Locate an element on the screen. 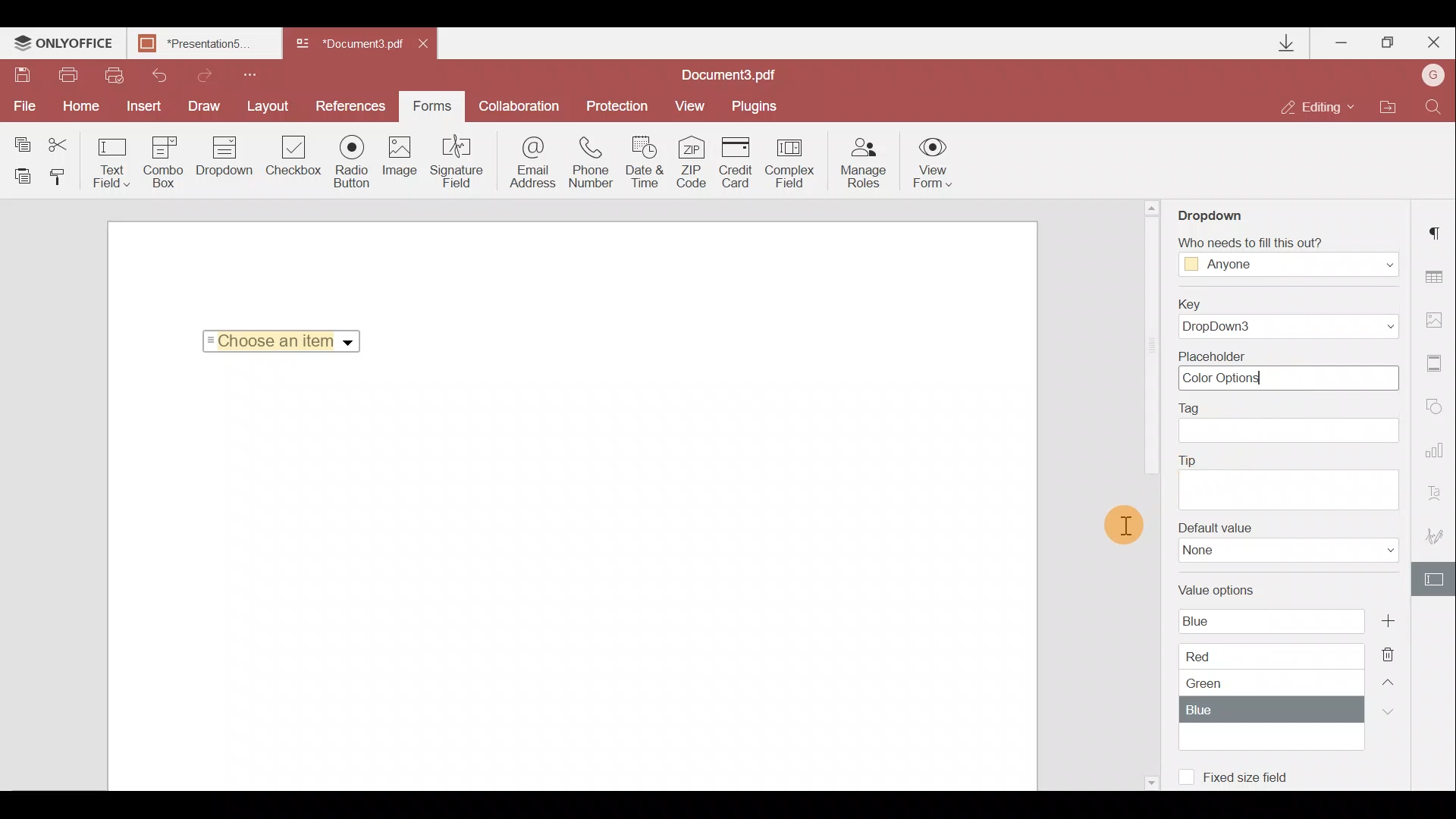  Add is located at coordinates (1387, 620).